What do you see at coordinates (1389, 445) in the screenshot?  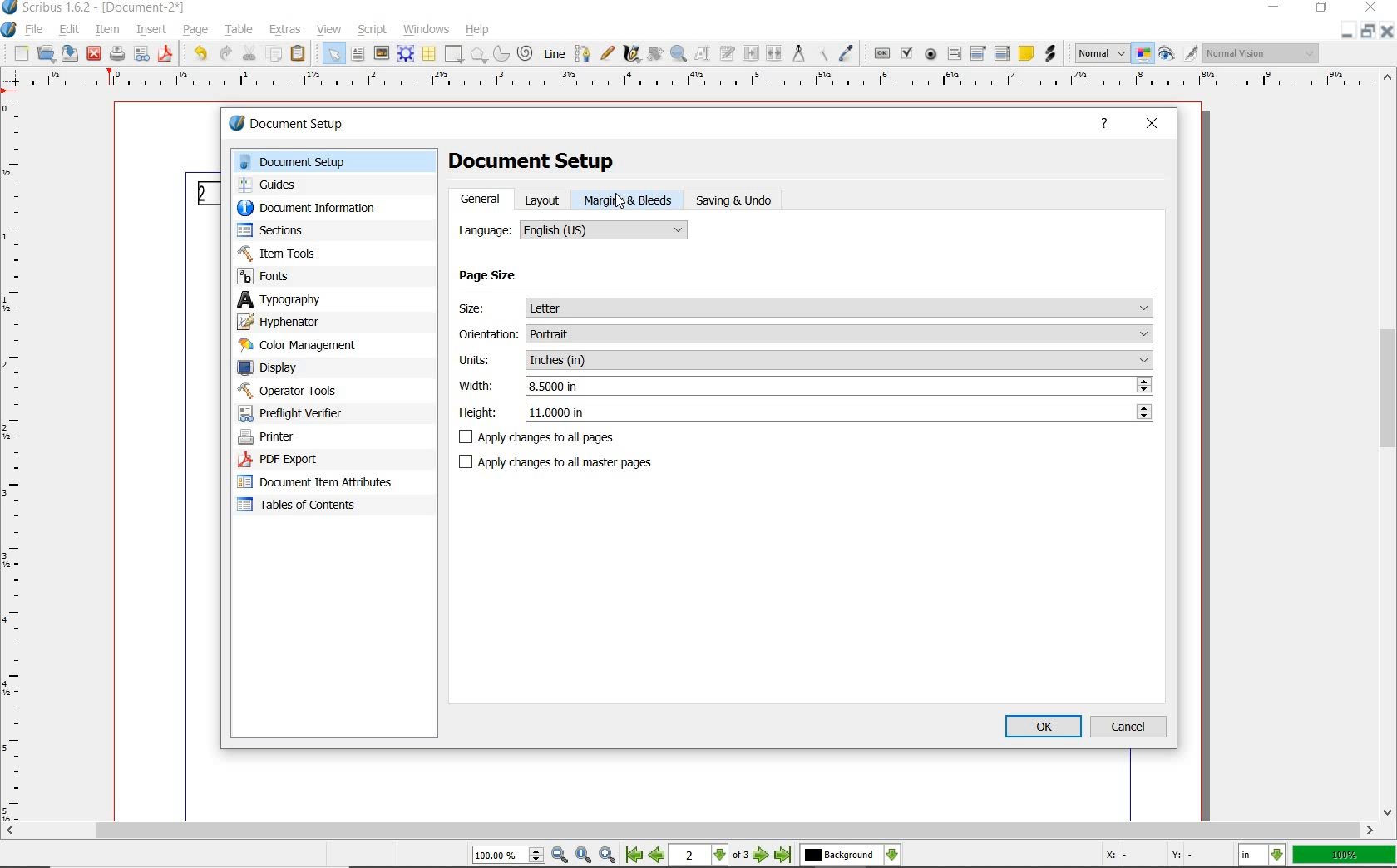 I see `scrollbar` at bounding box center [1389, 445].